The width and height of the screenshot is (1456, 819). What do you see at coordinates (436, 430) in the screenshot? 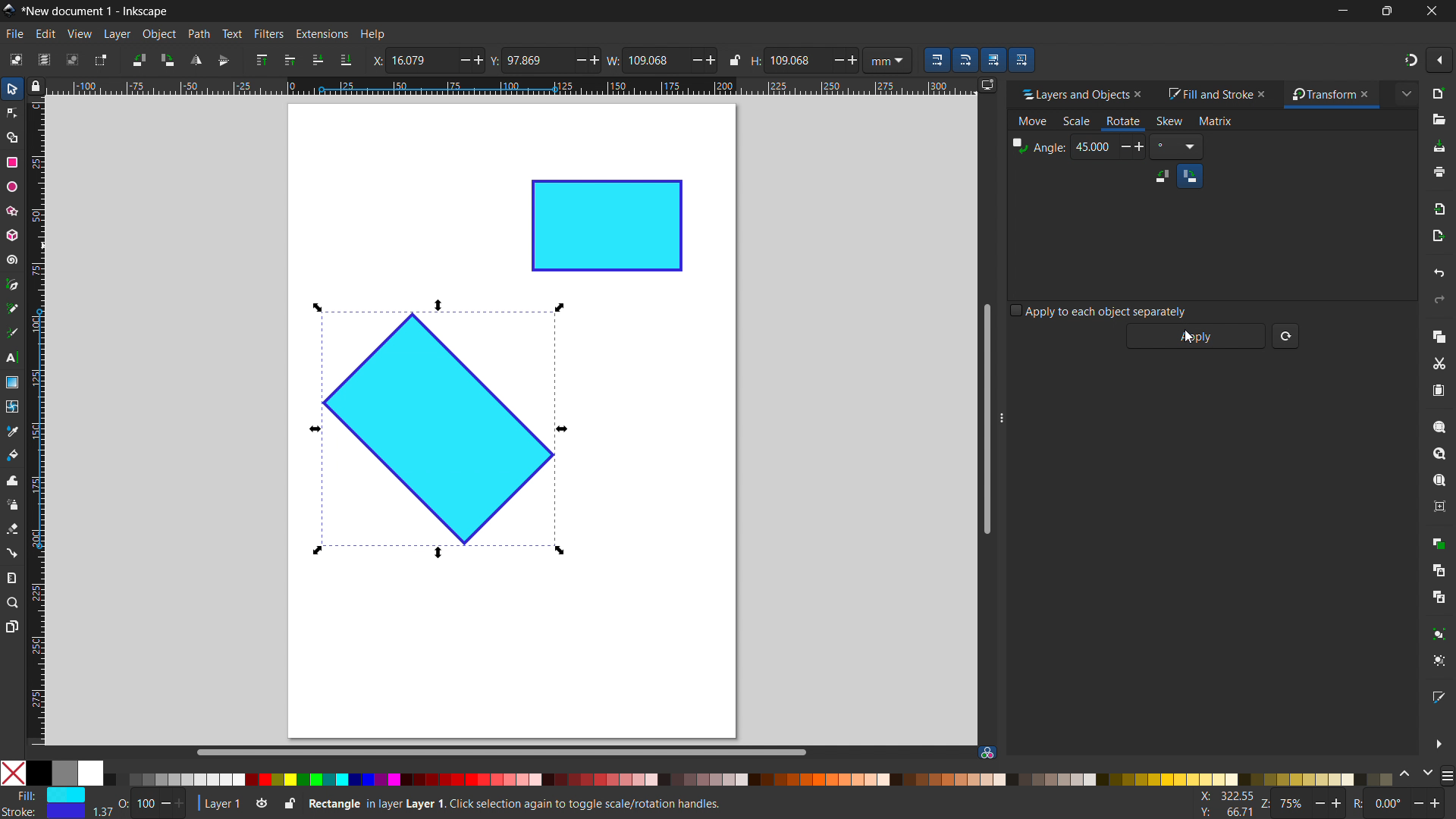
I see `object 1 rotated by 45 degree` at bounding box center [436, 430].